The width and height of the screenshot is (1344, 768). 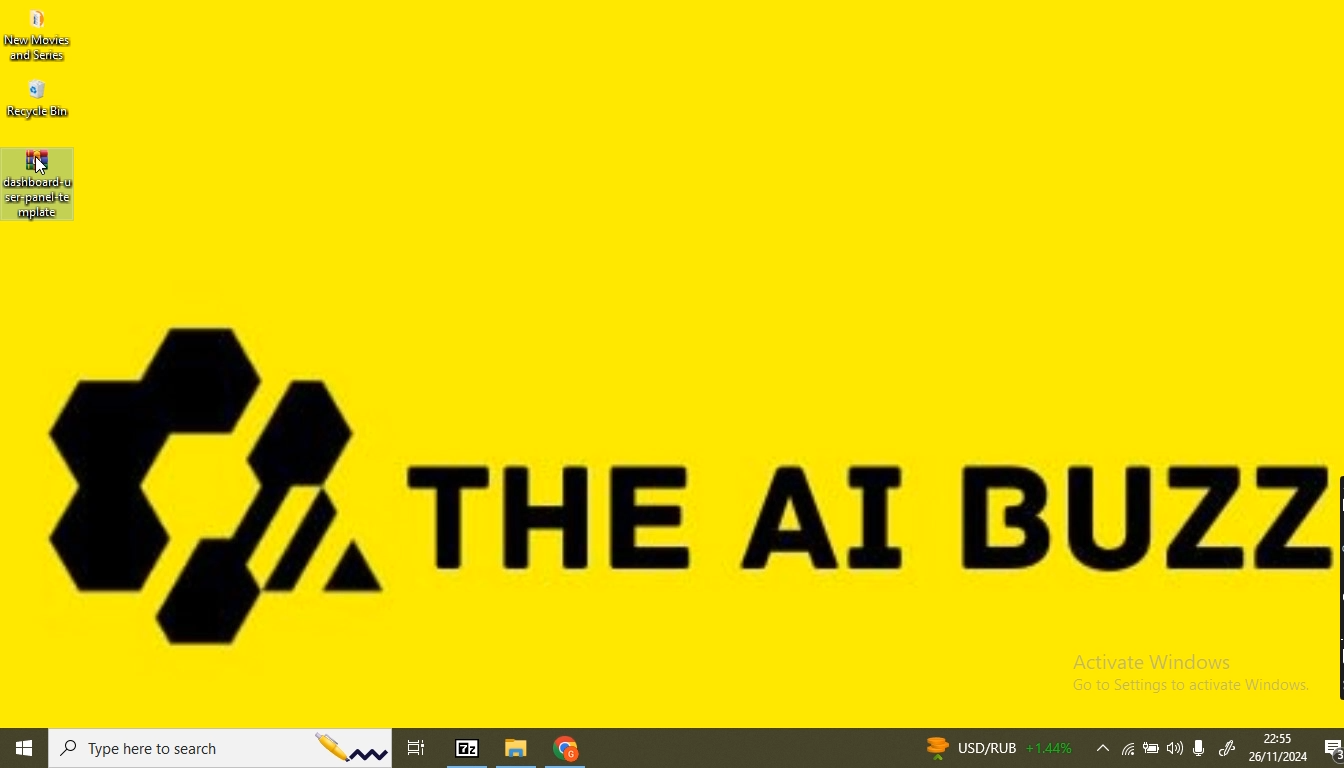 I want to click on new movies and series, so click(x=44, y=37).